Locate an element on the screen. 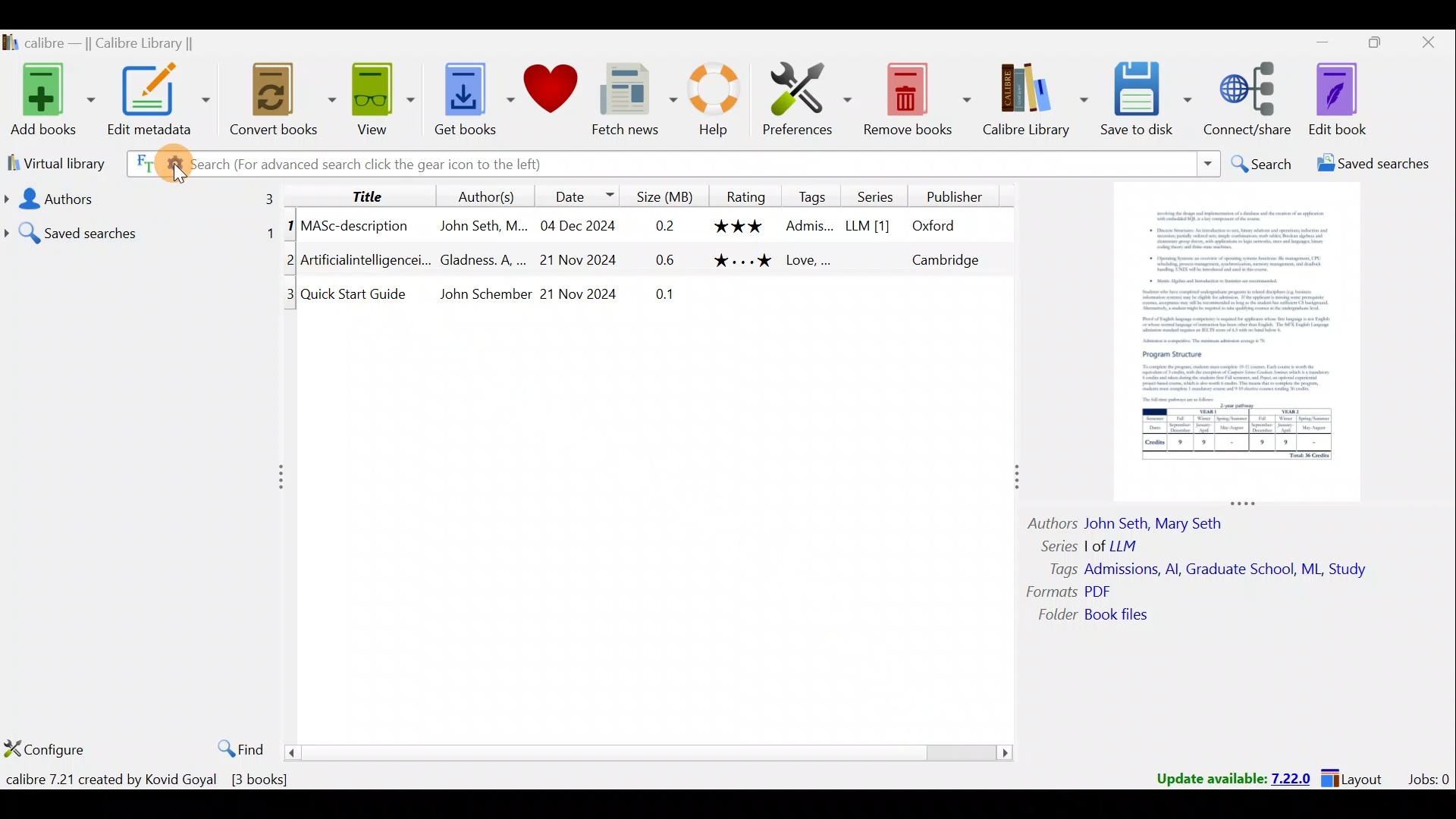 The height and width of the screenshot is (819, 1456). 1 is located at coordinates (290, 228).